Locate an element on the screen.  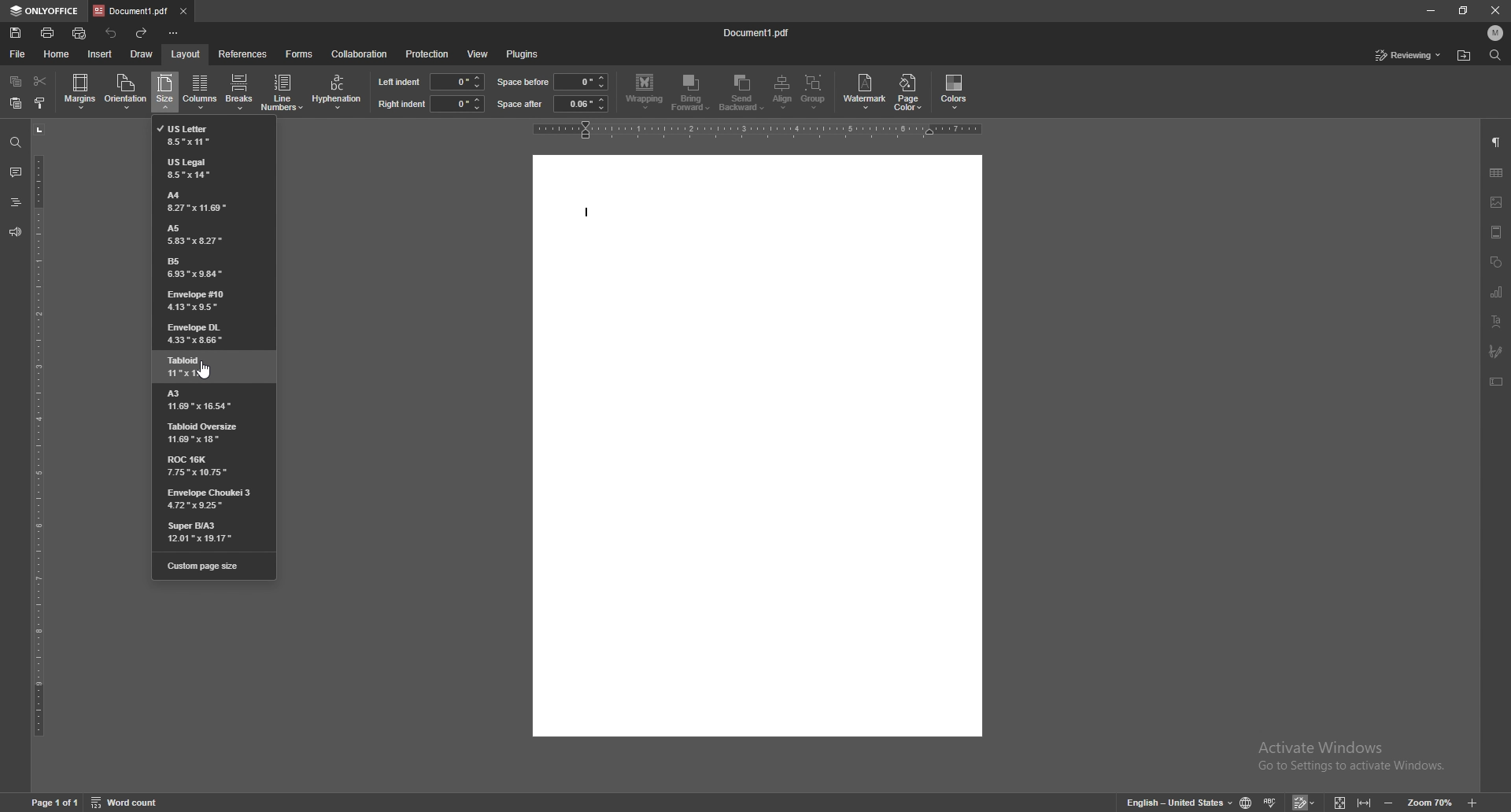
track changes is located at coordinates (1306, 803).